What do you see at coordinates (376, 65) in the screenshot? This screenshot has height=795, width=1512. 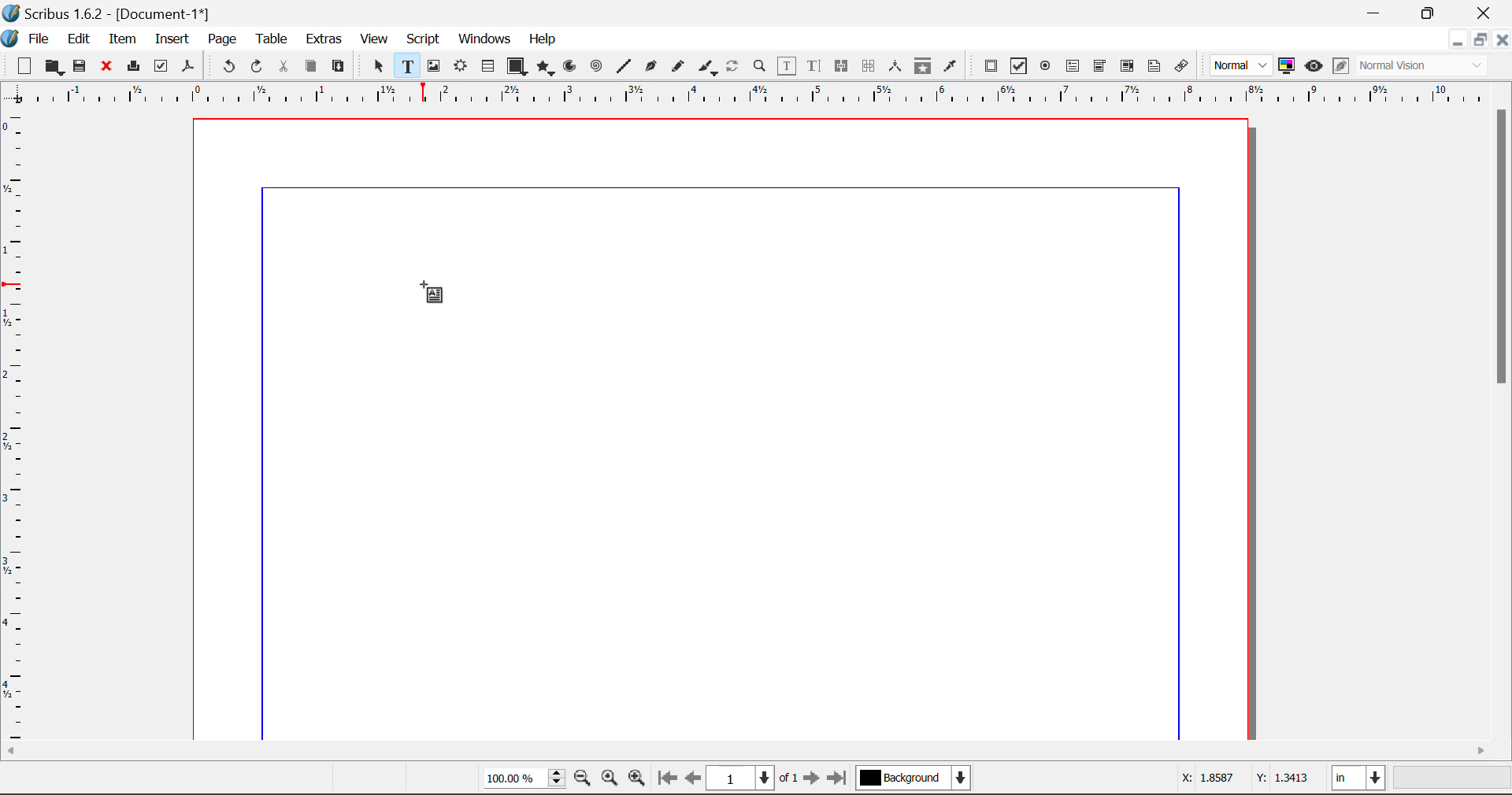 I see `Select` at bounding box center [376, 65].